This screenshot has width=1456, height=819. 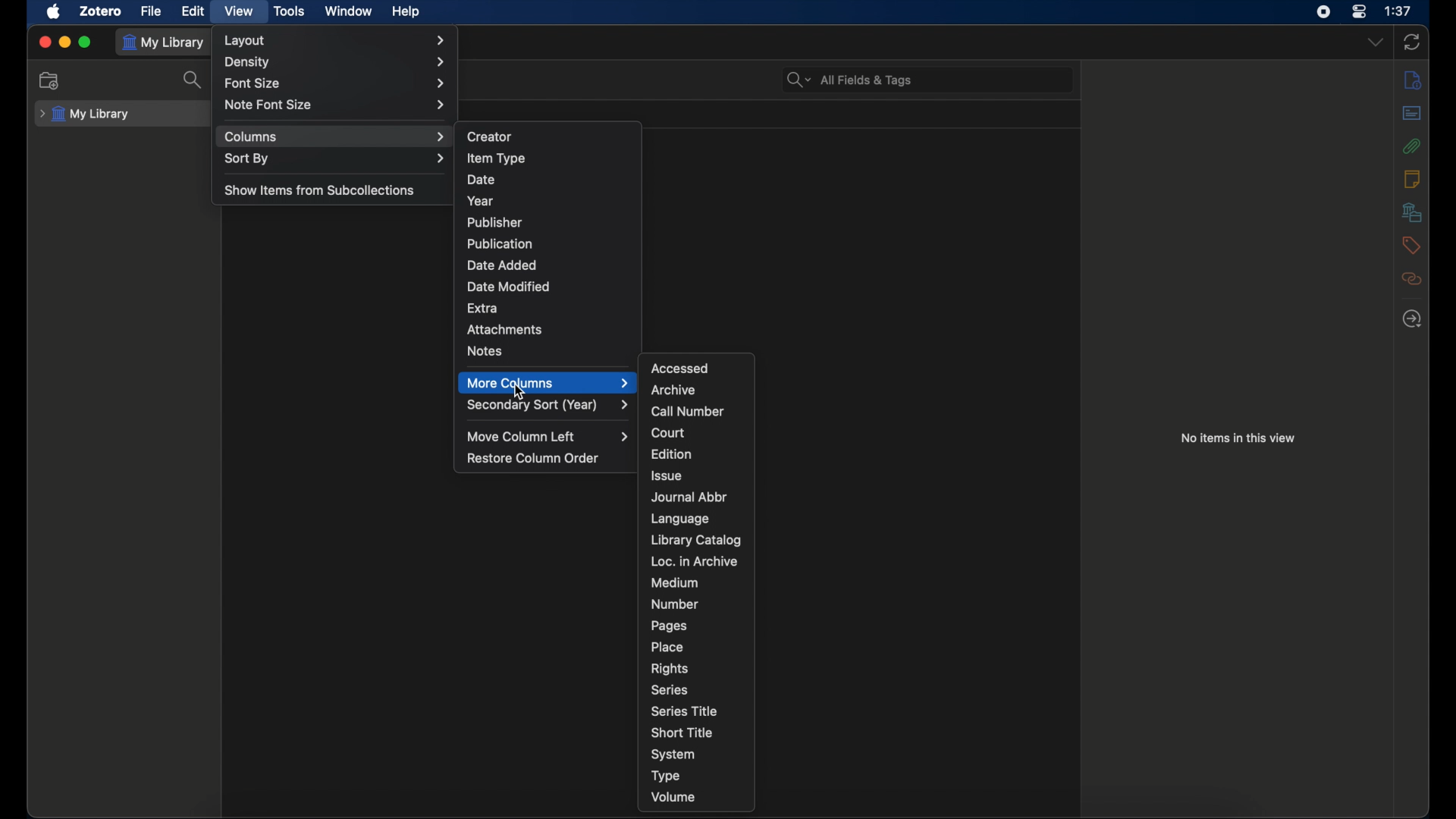 What do you see at coordinates (407, 13) in the screenshot?
I see `help` at bounding box center [407, 13].